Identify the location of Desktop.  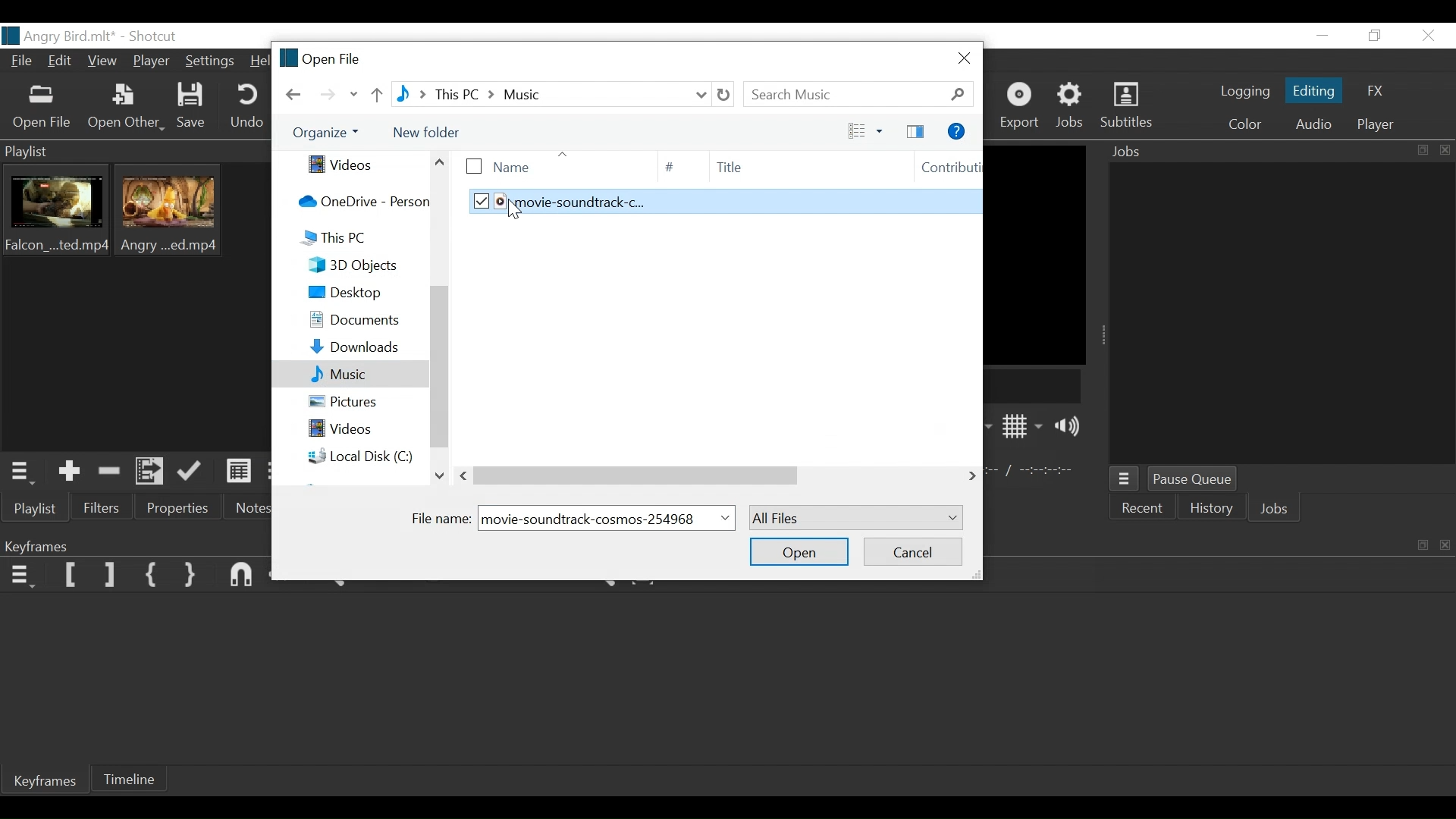
(347, 292).